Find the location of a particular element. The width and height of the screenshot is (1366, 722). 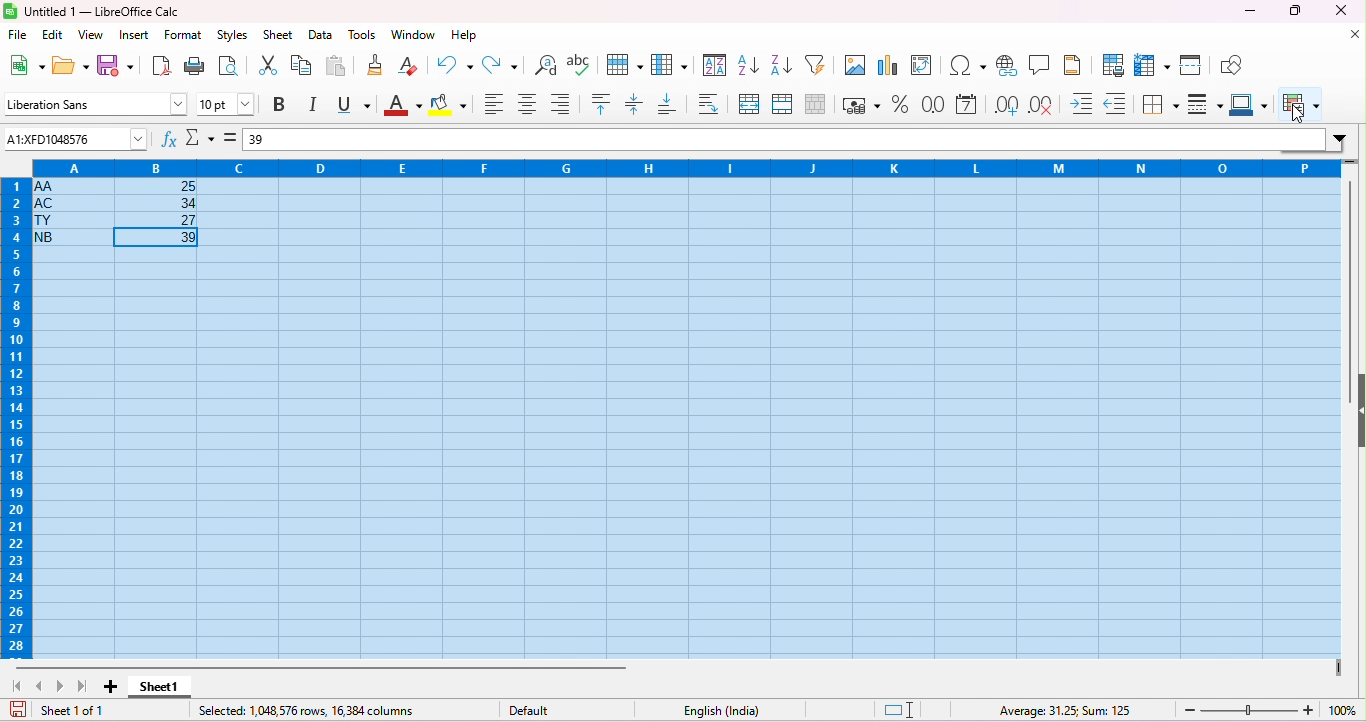

view is located at coordinates (90, 36).